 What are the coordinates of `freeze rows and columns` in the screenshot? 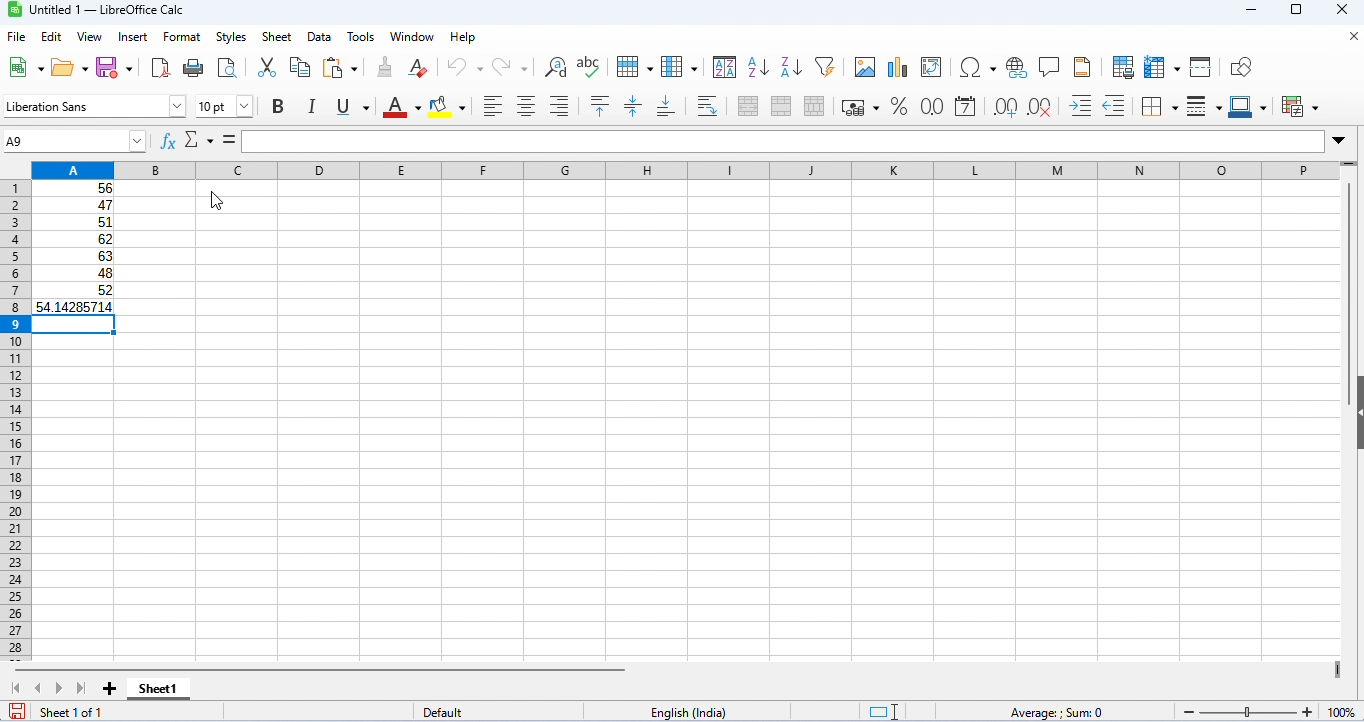 It's located at (1164, 67).